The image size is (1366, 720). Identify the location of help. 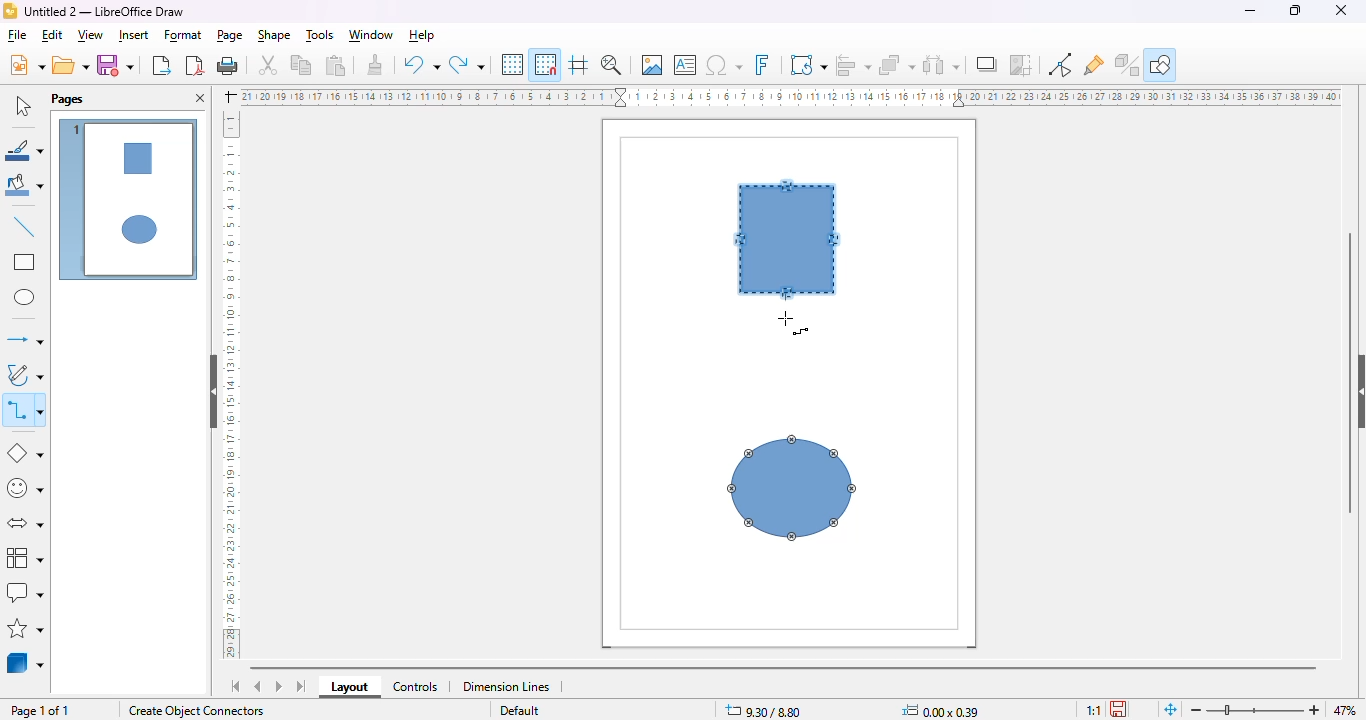
(421, 35).